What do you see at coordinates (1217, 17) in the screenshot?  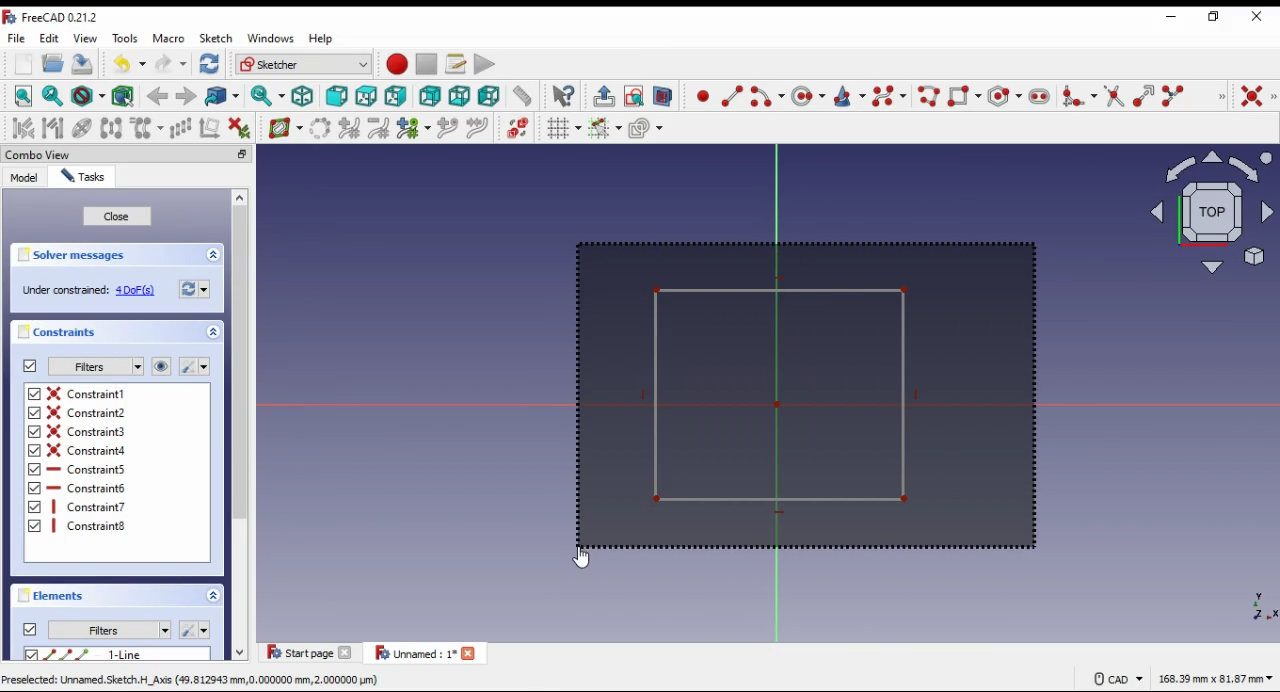 I see `restore` at bounding box center [1217, 17].